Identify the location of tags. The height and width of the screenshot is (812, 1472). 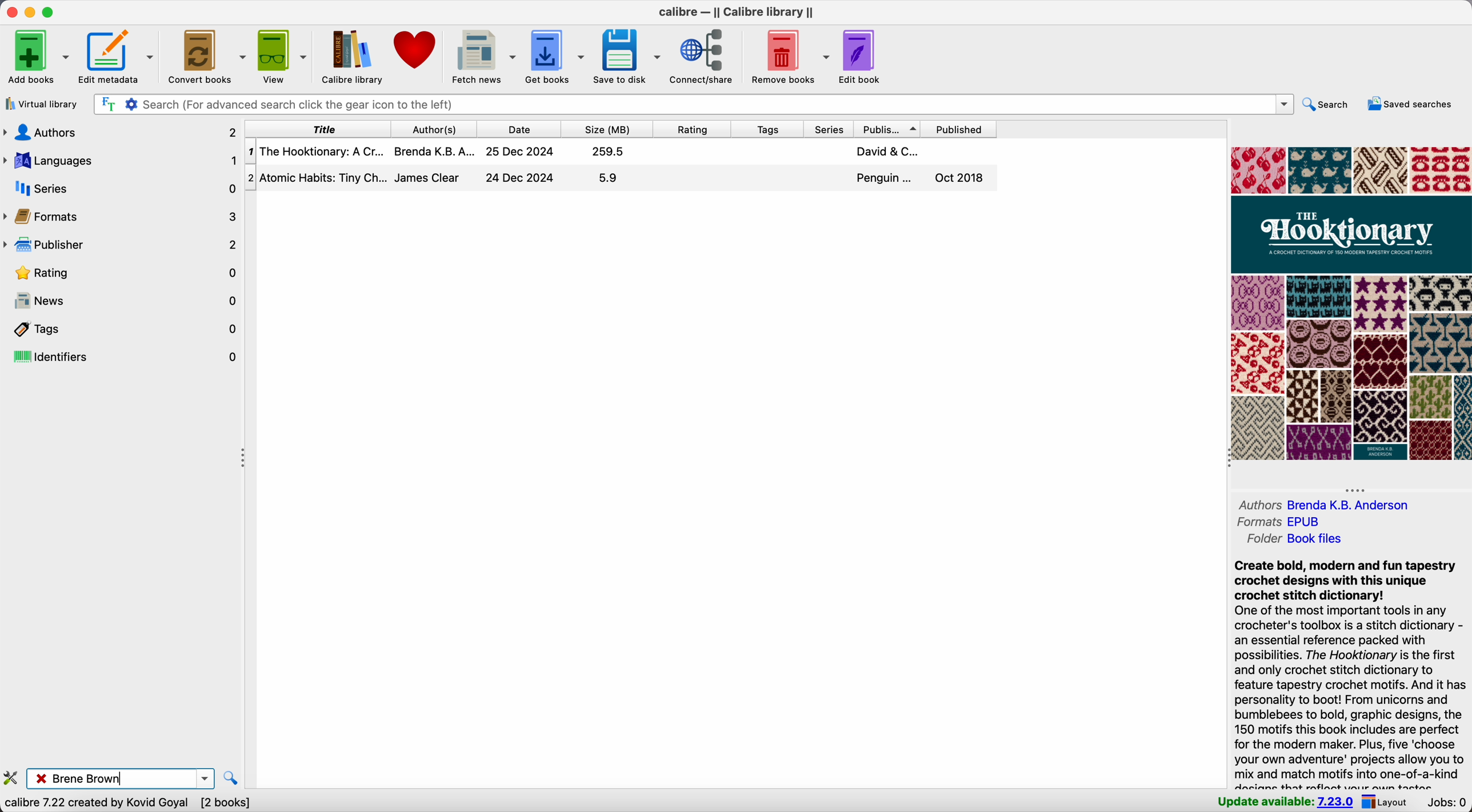
(767, 129).